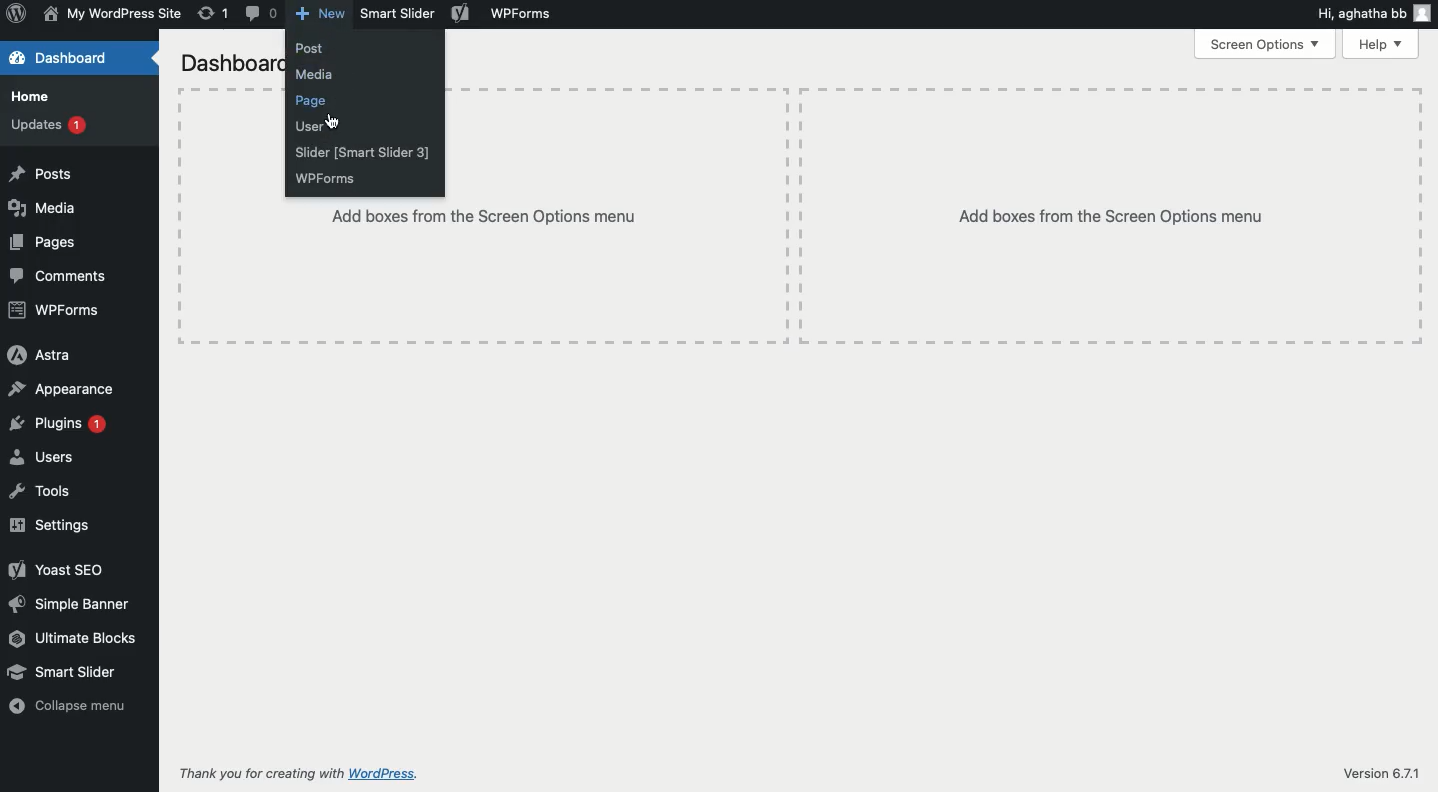 This screenshot has height=792, width=1438. I want to click on Hi user, so click(1373, 15).